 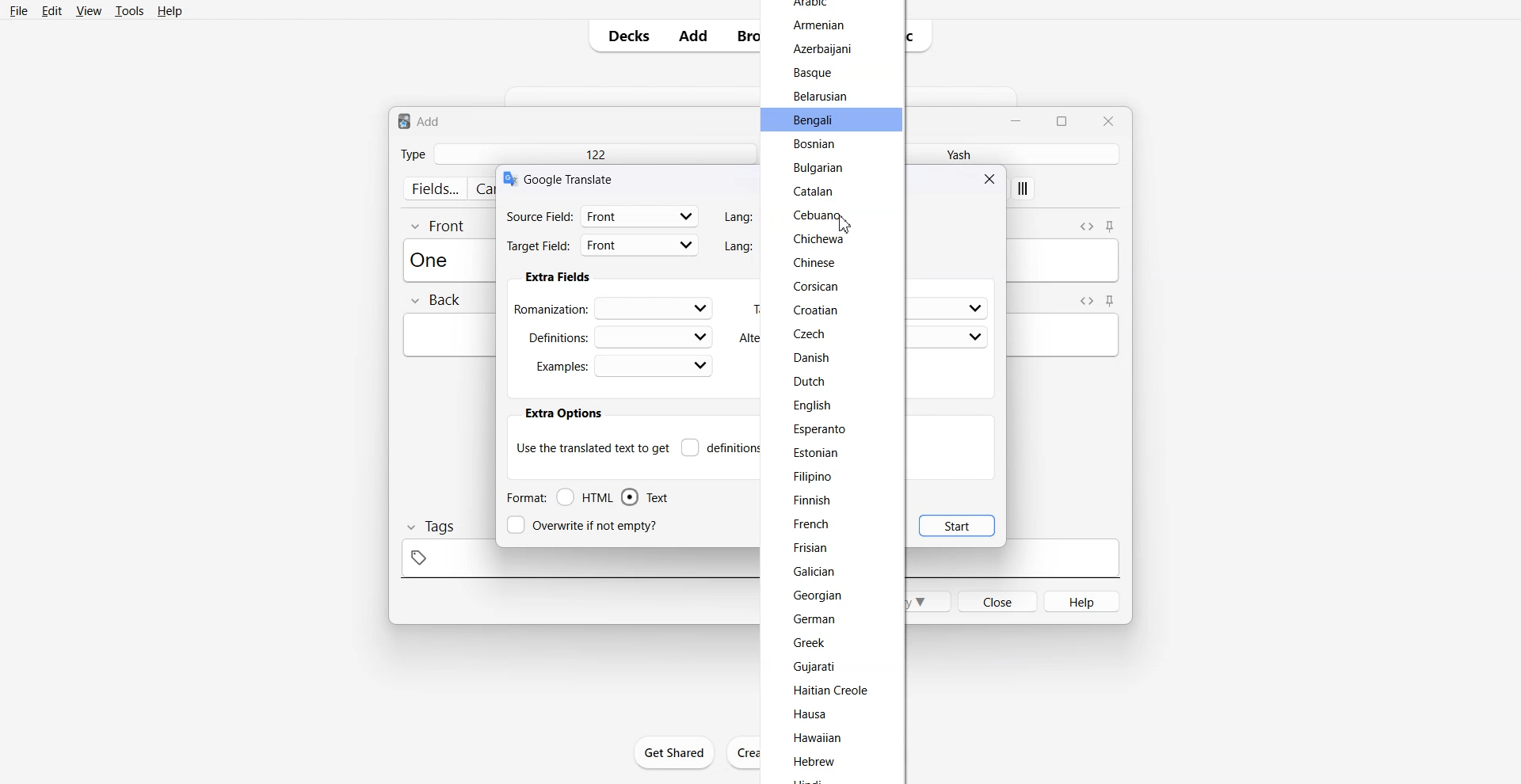 What do you see at coordinates (616, 307) in the screenshot?
I see `Romanization:` at bounding box center [616, 307].